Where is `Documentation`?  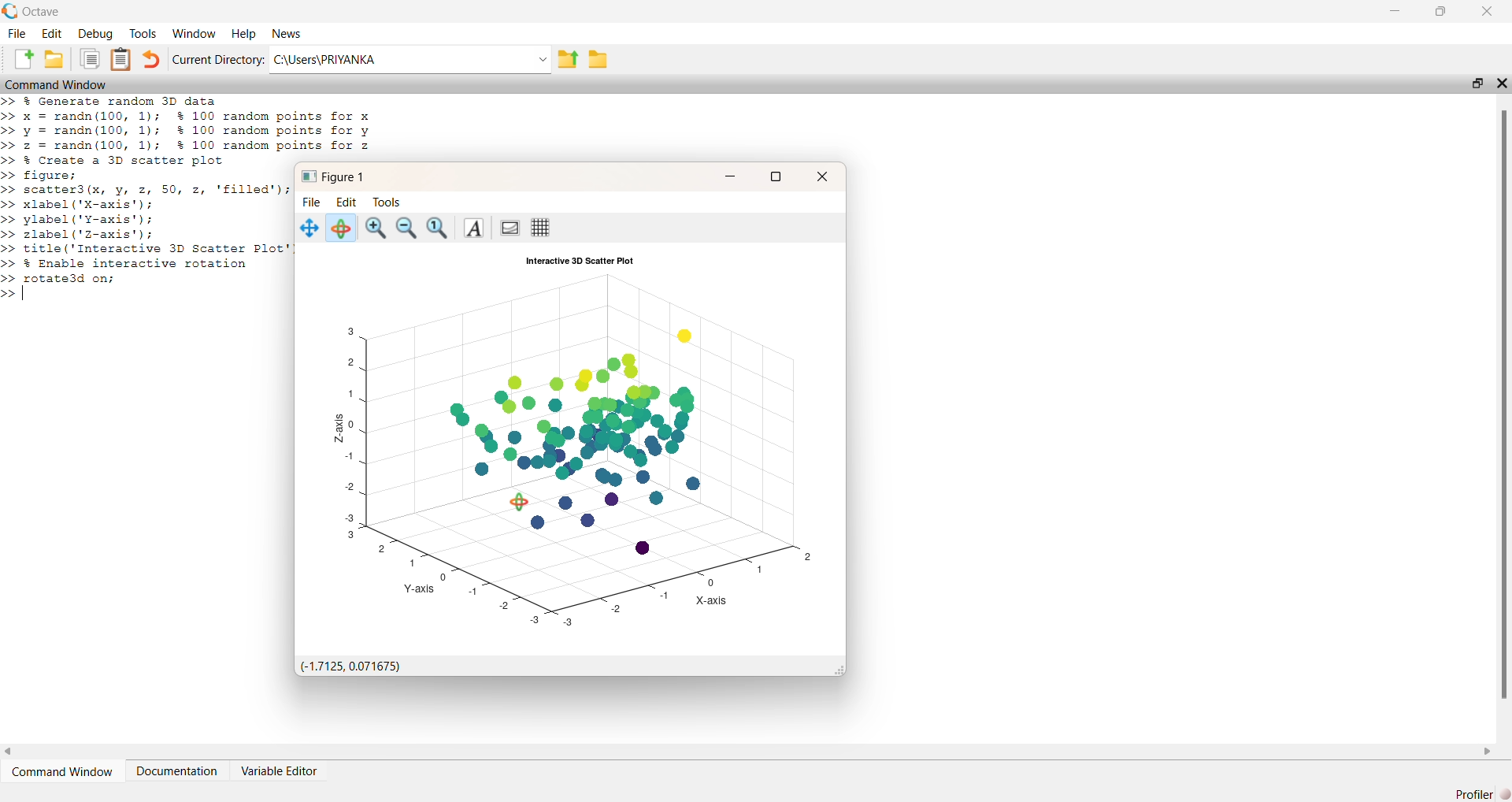
Documentation is located at coordinates (176, 771).